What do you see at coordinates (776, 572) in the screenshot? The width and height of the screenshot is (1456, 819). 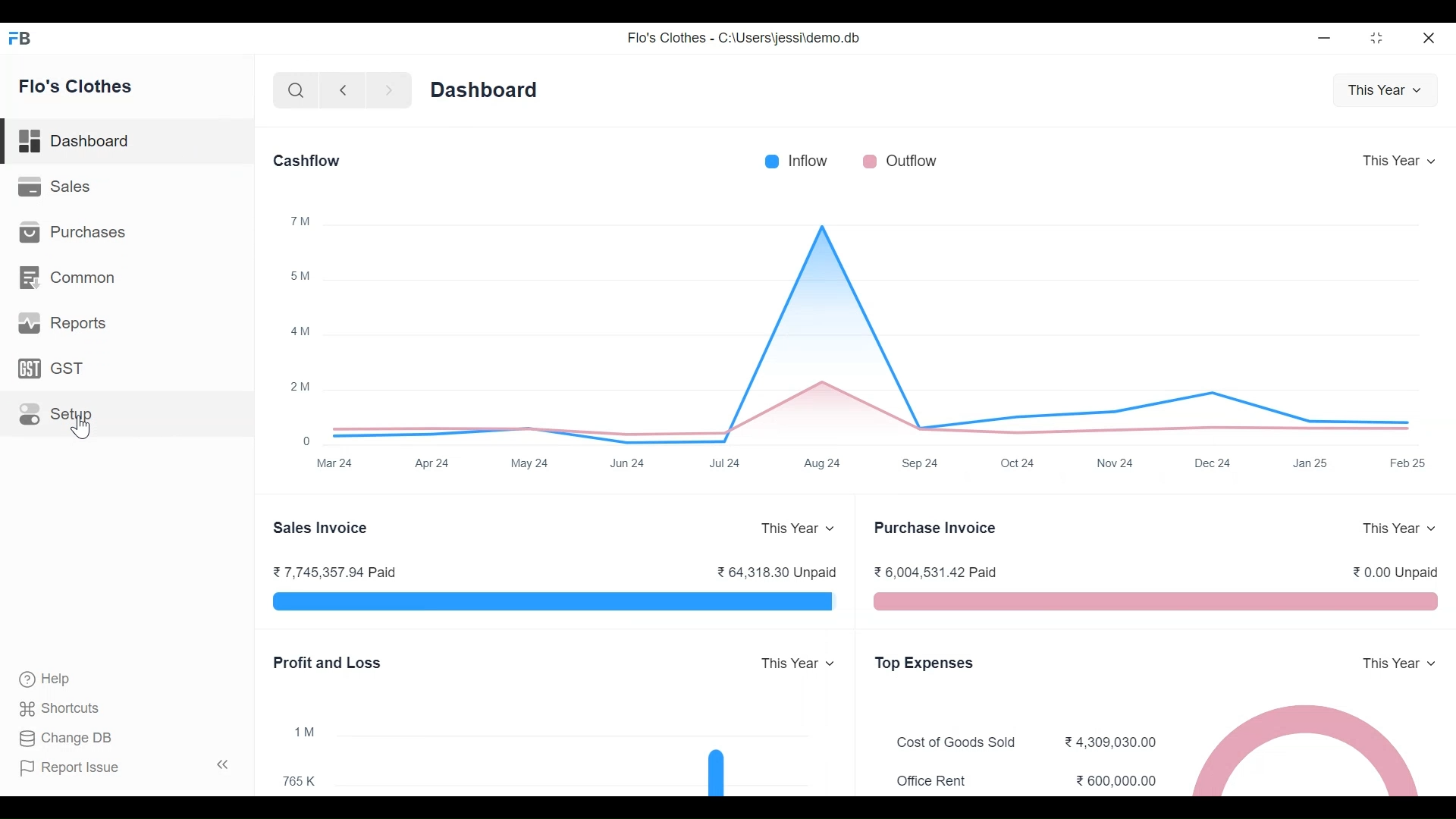 I see `₹ 64,318.30 Unpaid` at bounding box center [776, 572].